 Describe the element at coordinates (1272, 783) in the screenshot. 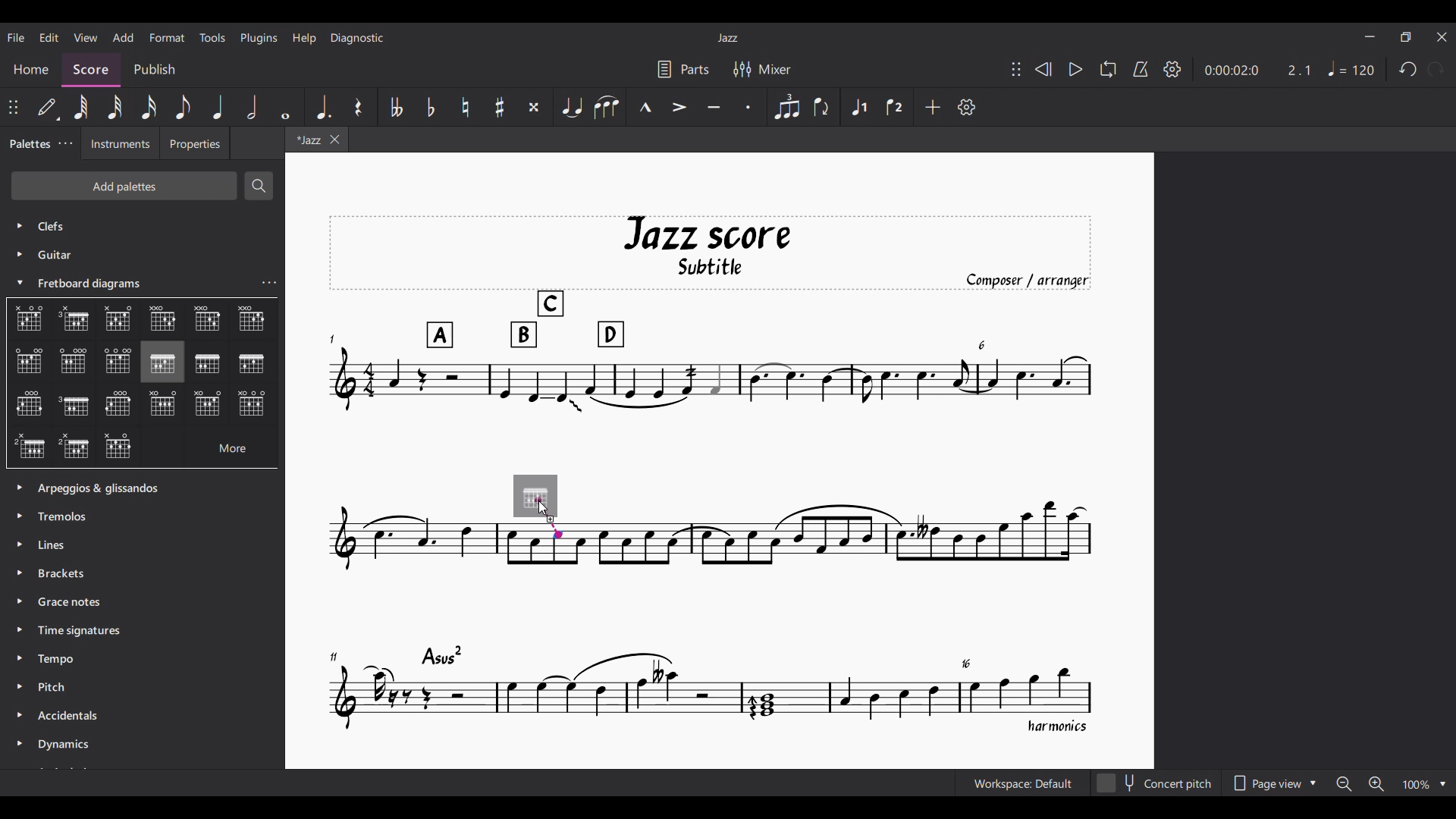

I see `Page view options` at that location.